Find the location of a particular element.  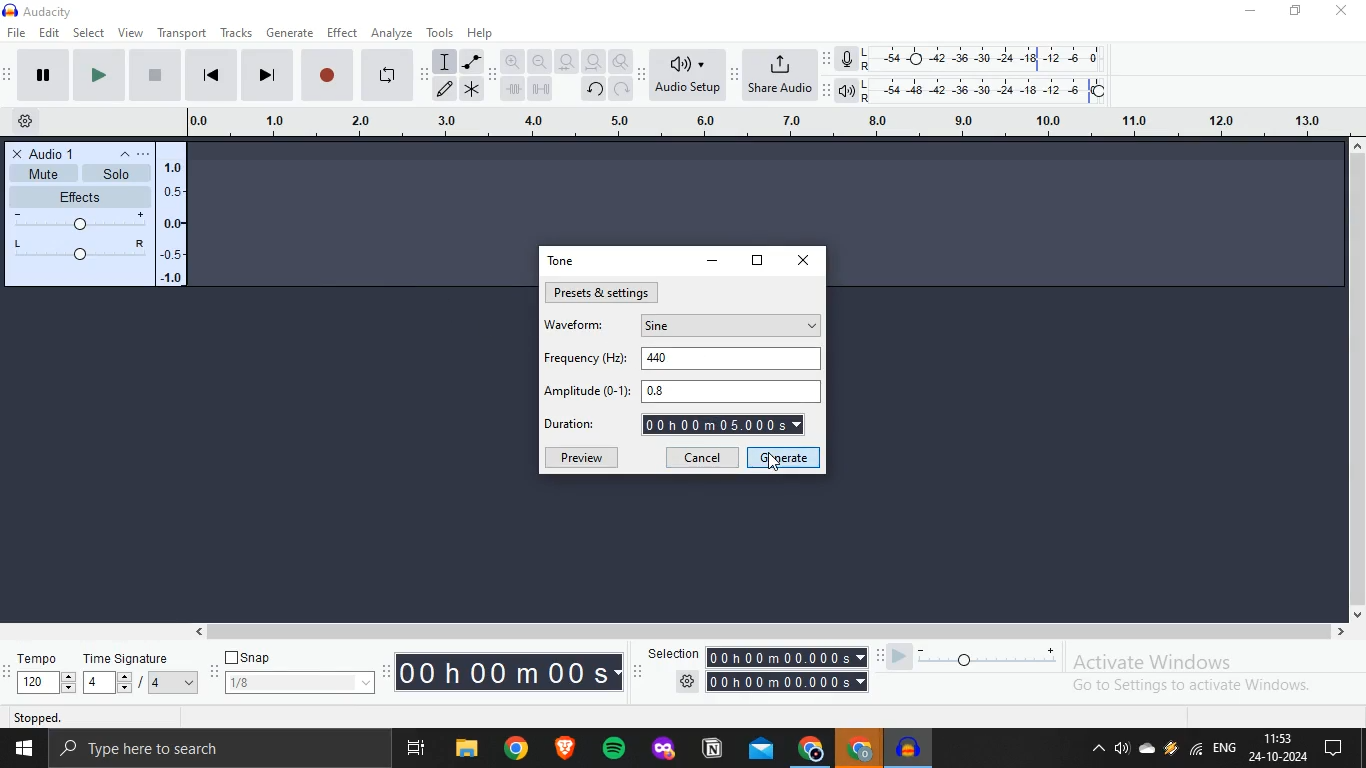

0.0 is located at coordinates (214, 125).